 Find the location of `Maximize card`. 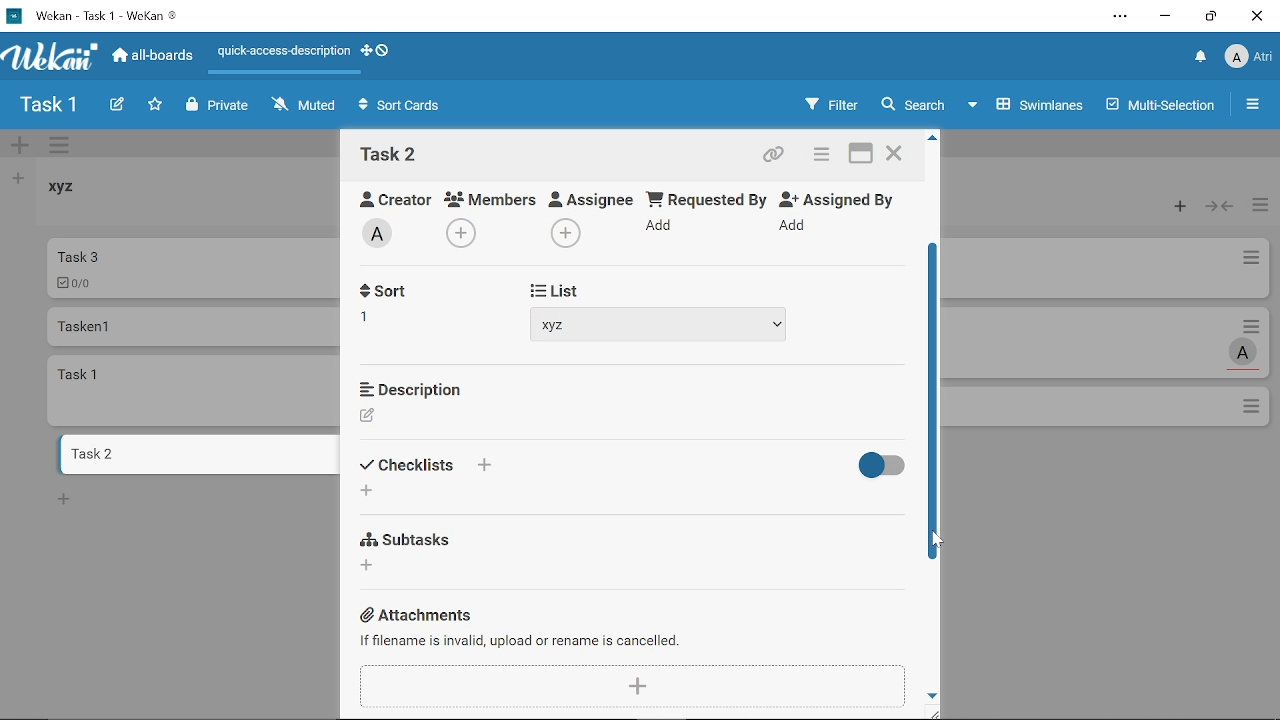

Maximize card is located at coordinates (861, 156).